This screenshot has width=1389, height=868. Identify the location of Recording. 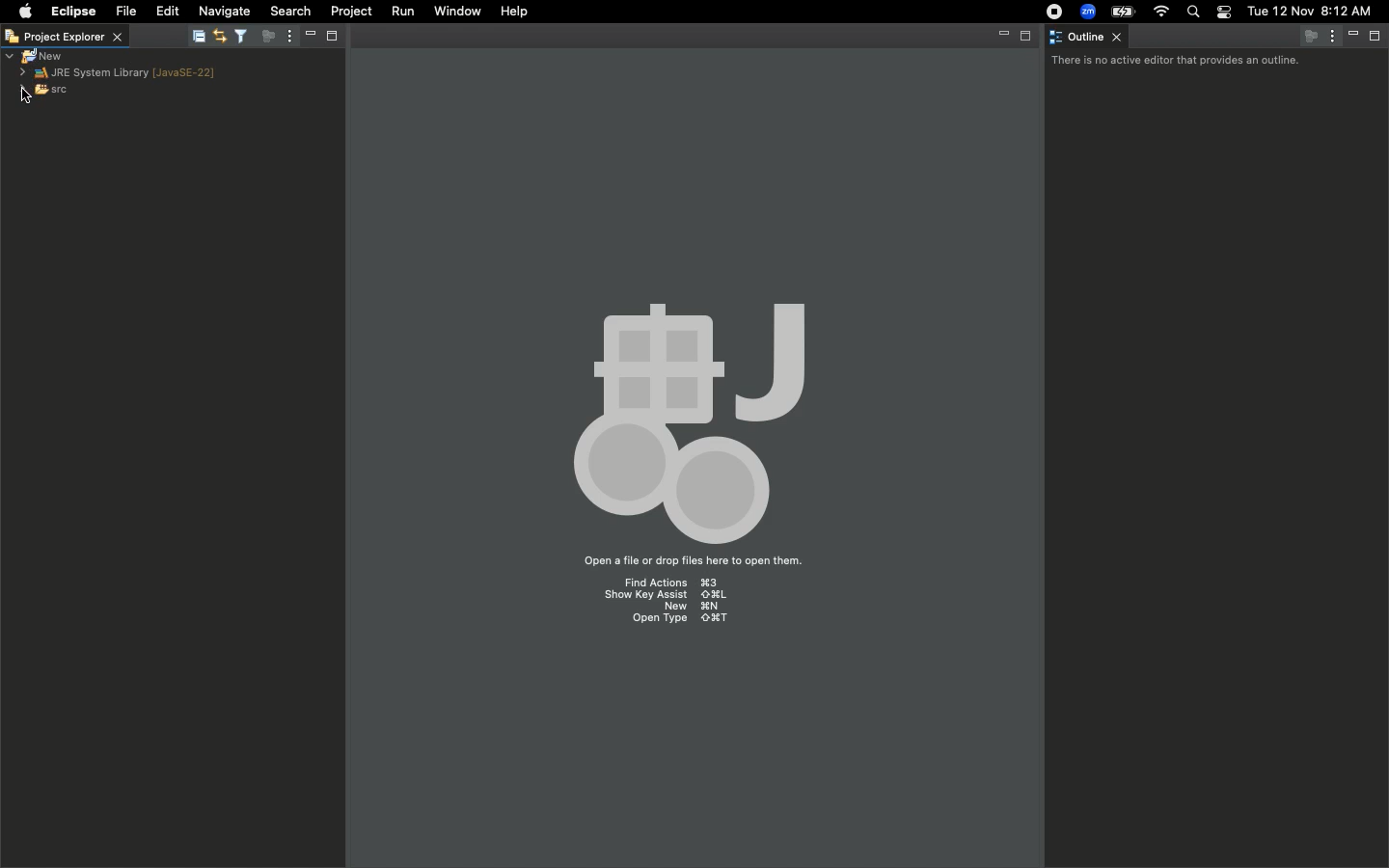
(1049, 12).